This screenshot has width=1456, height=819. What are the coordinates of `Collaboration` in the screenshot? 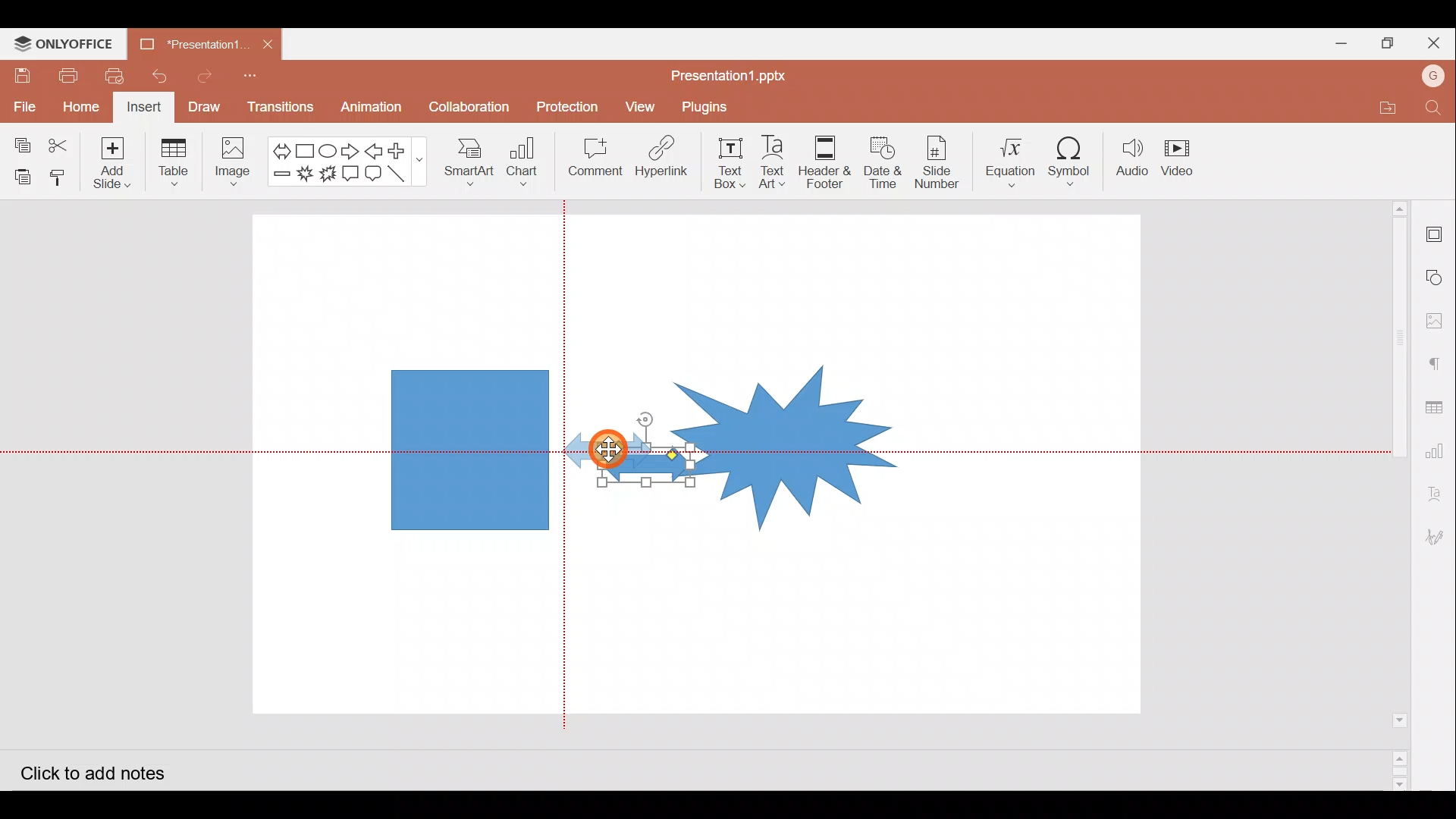 It's located at (469, 102).